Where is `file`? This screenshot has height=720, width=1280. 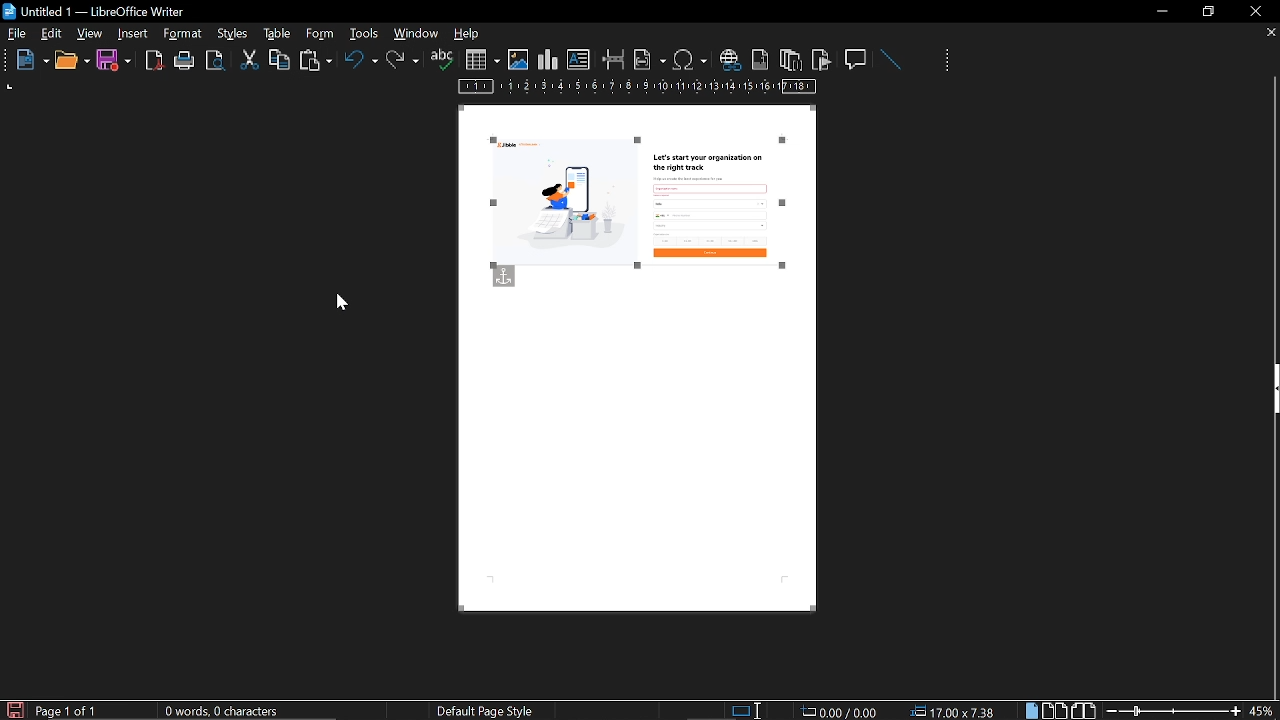
file is located at coordinates (17, 35).